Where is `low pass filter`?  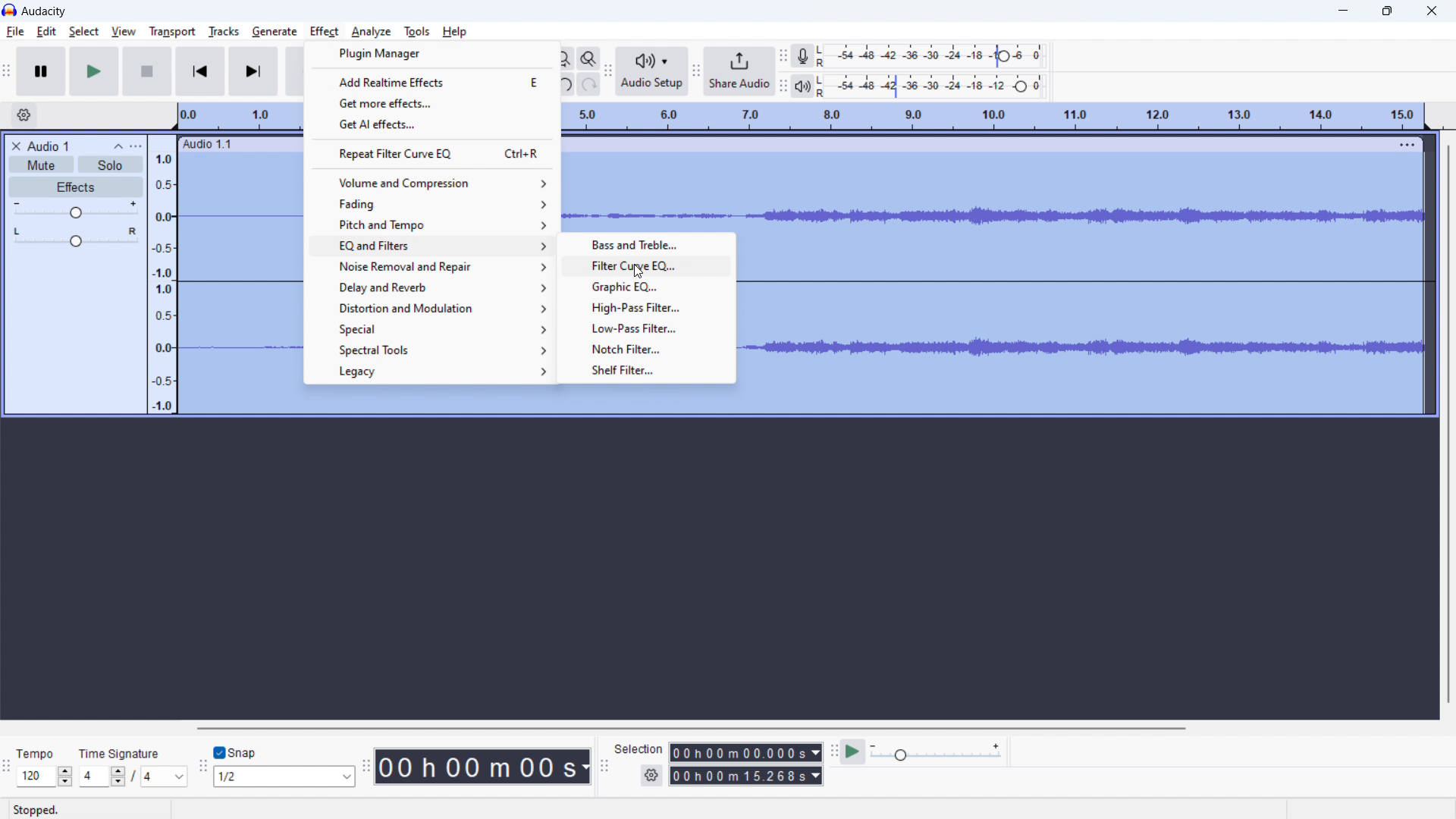 low pass filter is located at coordinates (648, 328).